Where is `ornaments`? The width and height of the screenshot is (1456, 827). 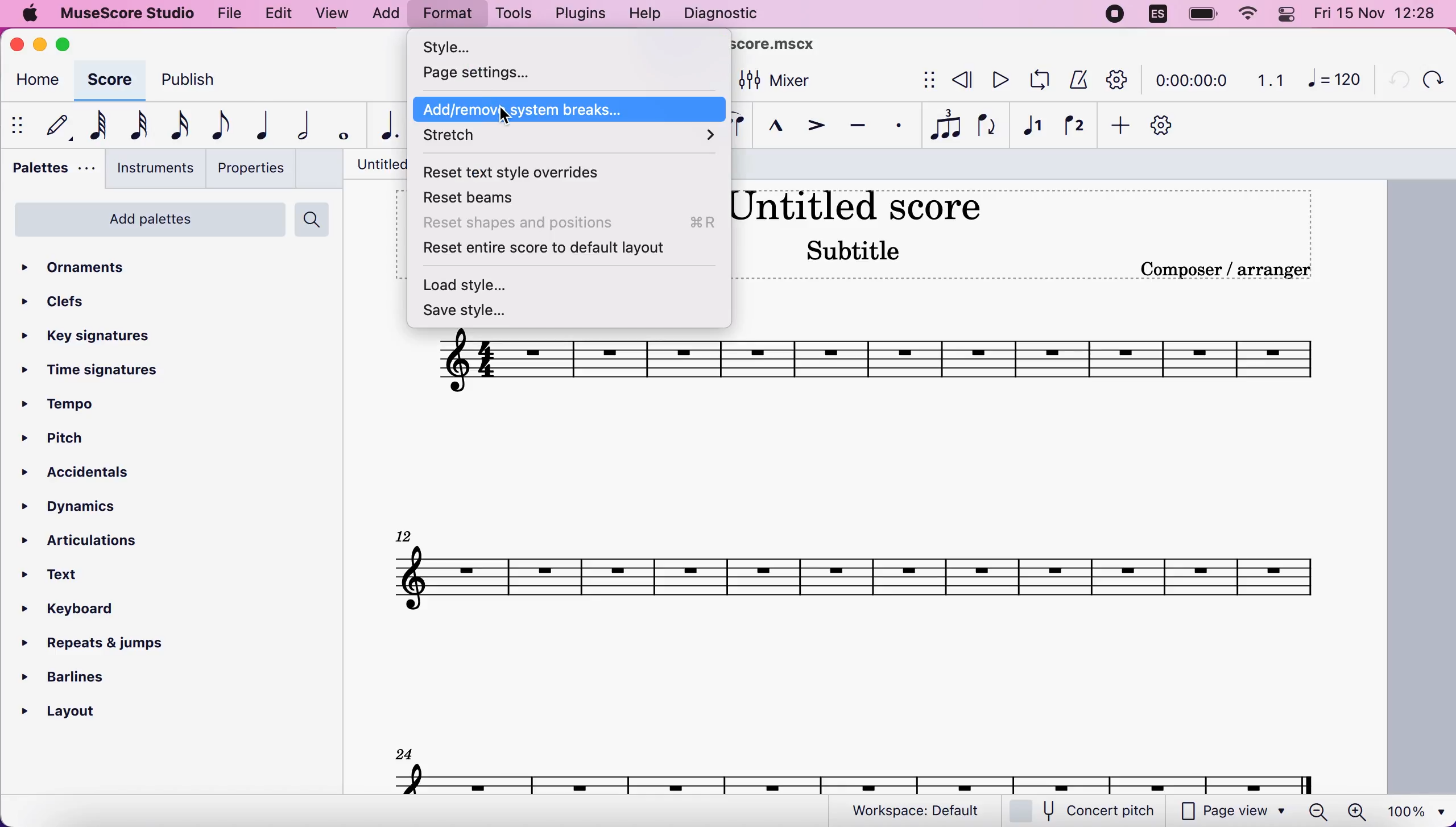 ornaments is located at coordinates (93, 268).